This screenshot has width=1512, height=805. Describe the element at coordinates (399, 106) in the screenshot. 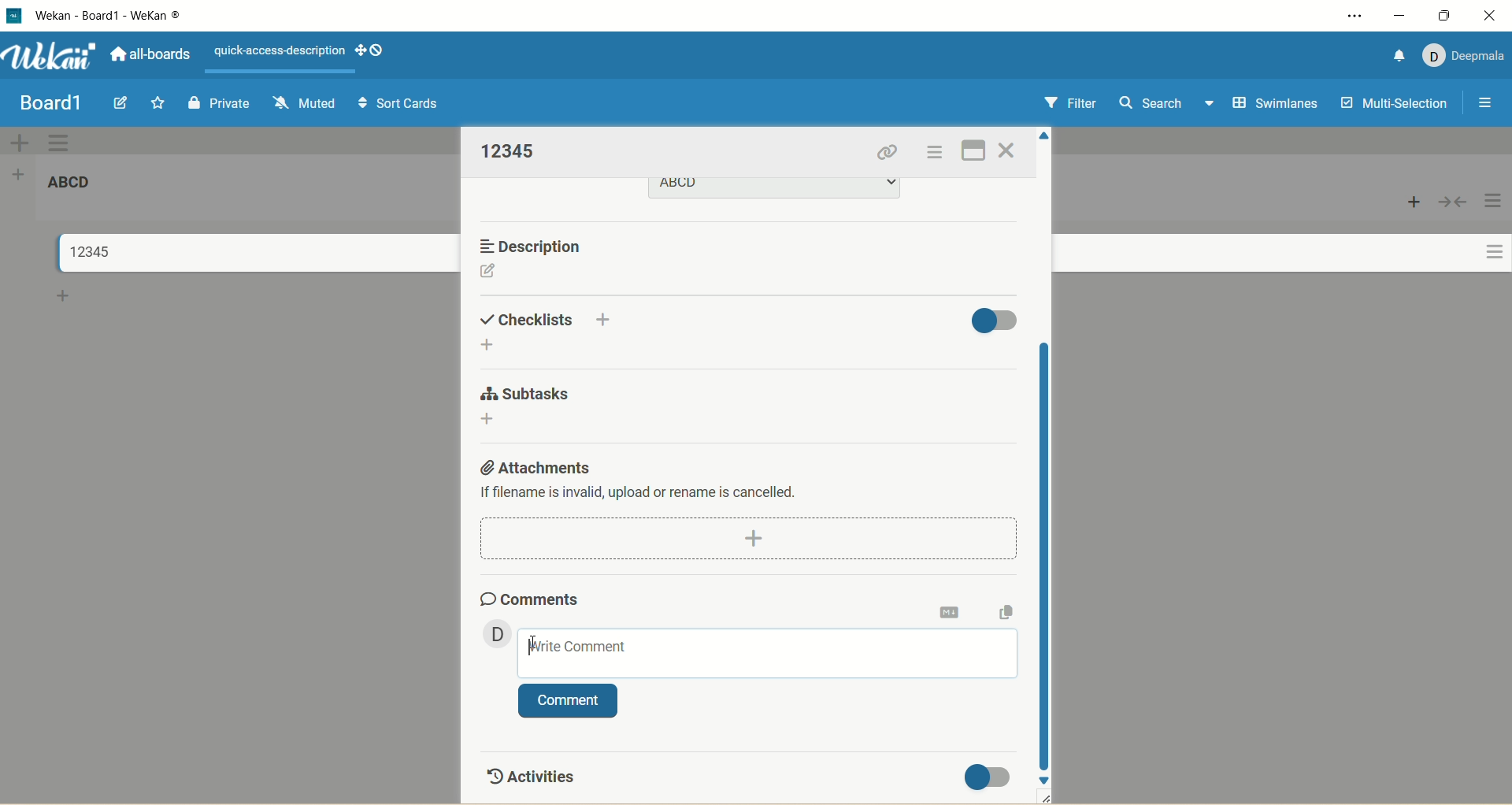

I see `sort cards` at that location.